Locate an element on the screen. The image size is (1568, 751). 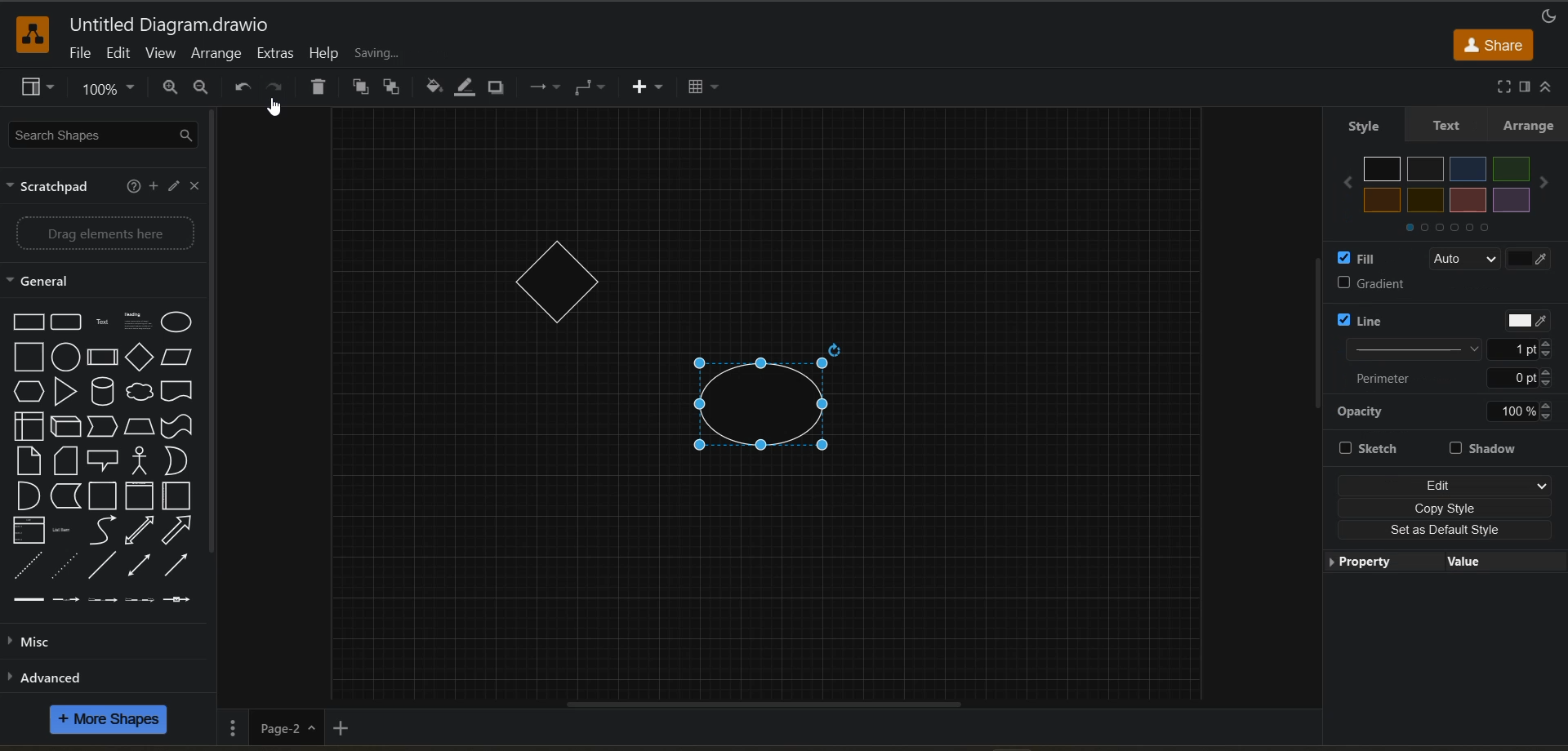
arrow is located at coordinates (179, 531).